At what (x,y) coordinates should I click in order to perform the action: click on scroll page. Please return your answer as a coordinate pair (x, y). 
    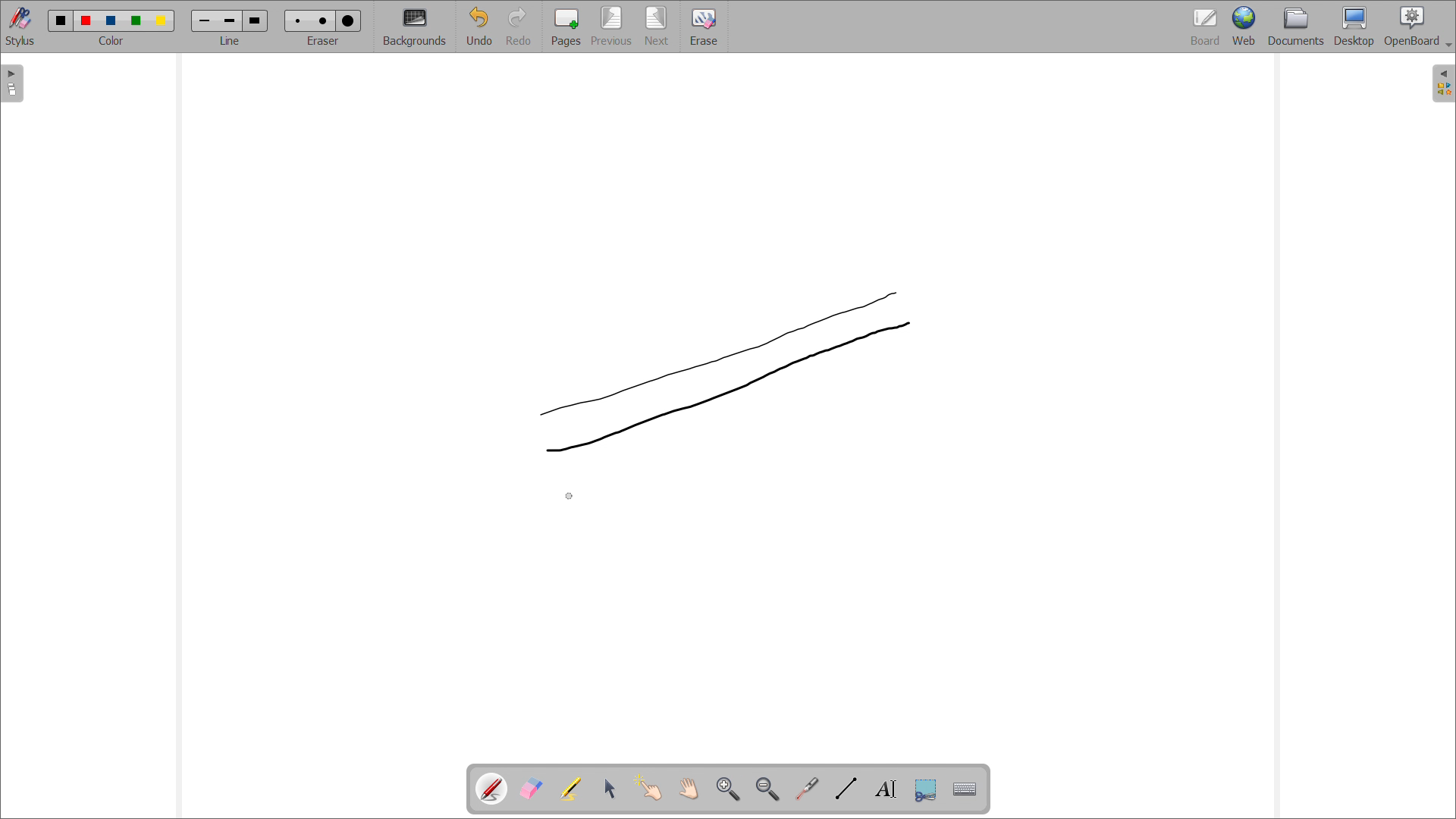
    Looking at the image, I should click on (689, 788).